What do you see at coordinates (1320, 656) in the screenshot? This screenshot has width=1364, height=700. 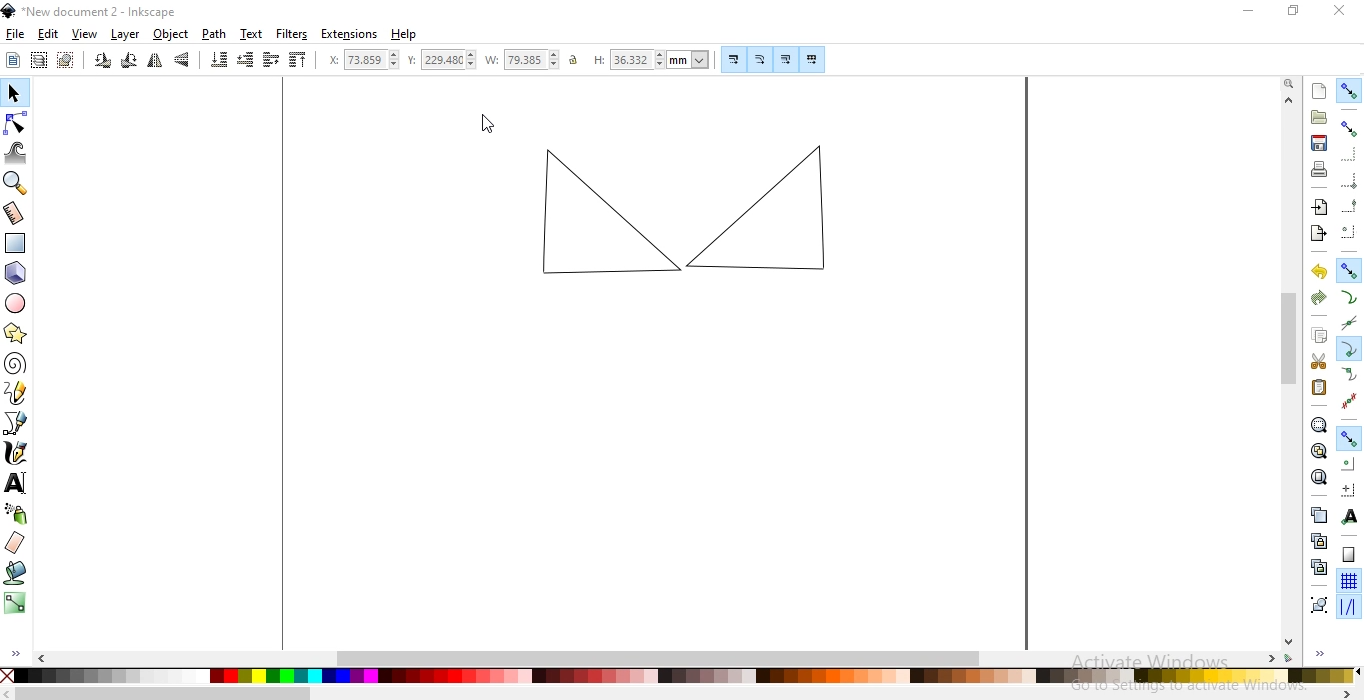 I see `expand/hide sidebar` at bounding box center [1320, 656].